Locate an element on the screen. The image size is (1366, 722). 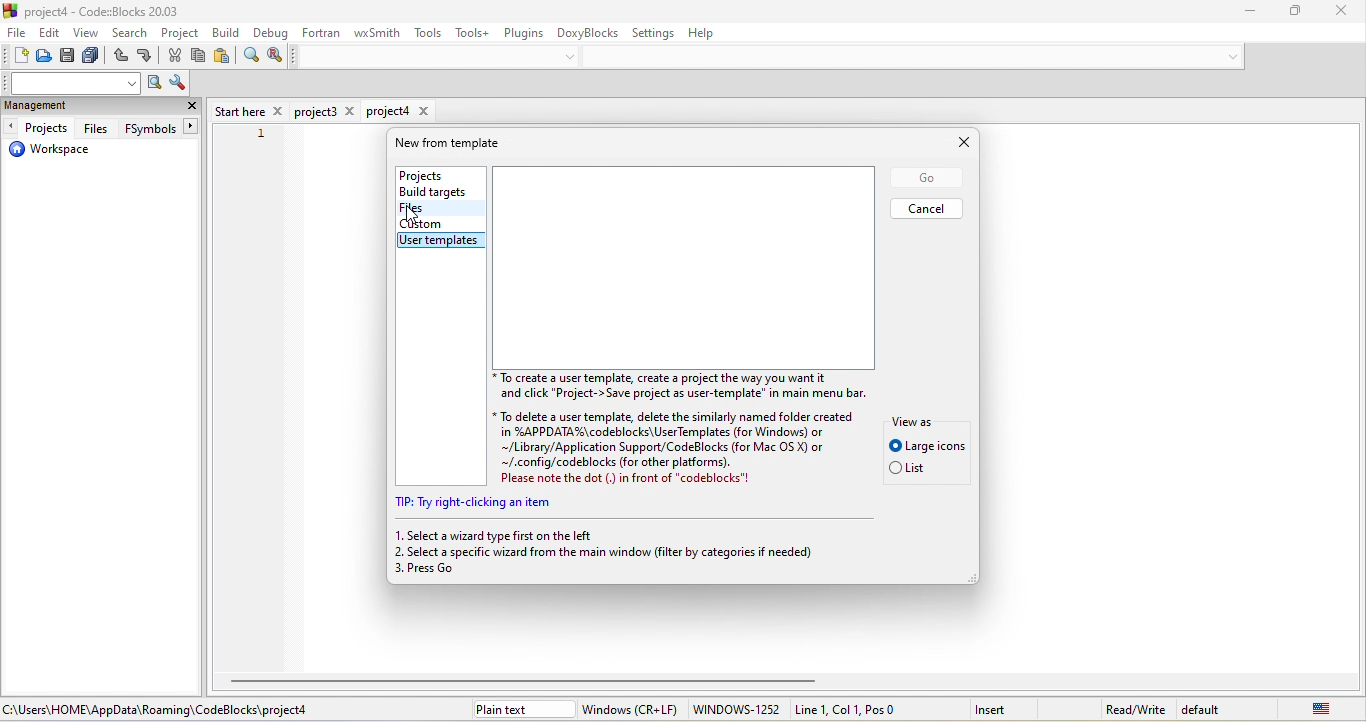
insert is located at coordinates (1003, 708).